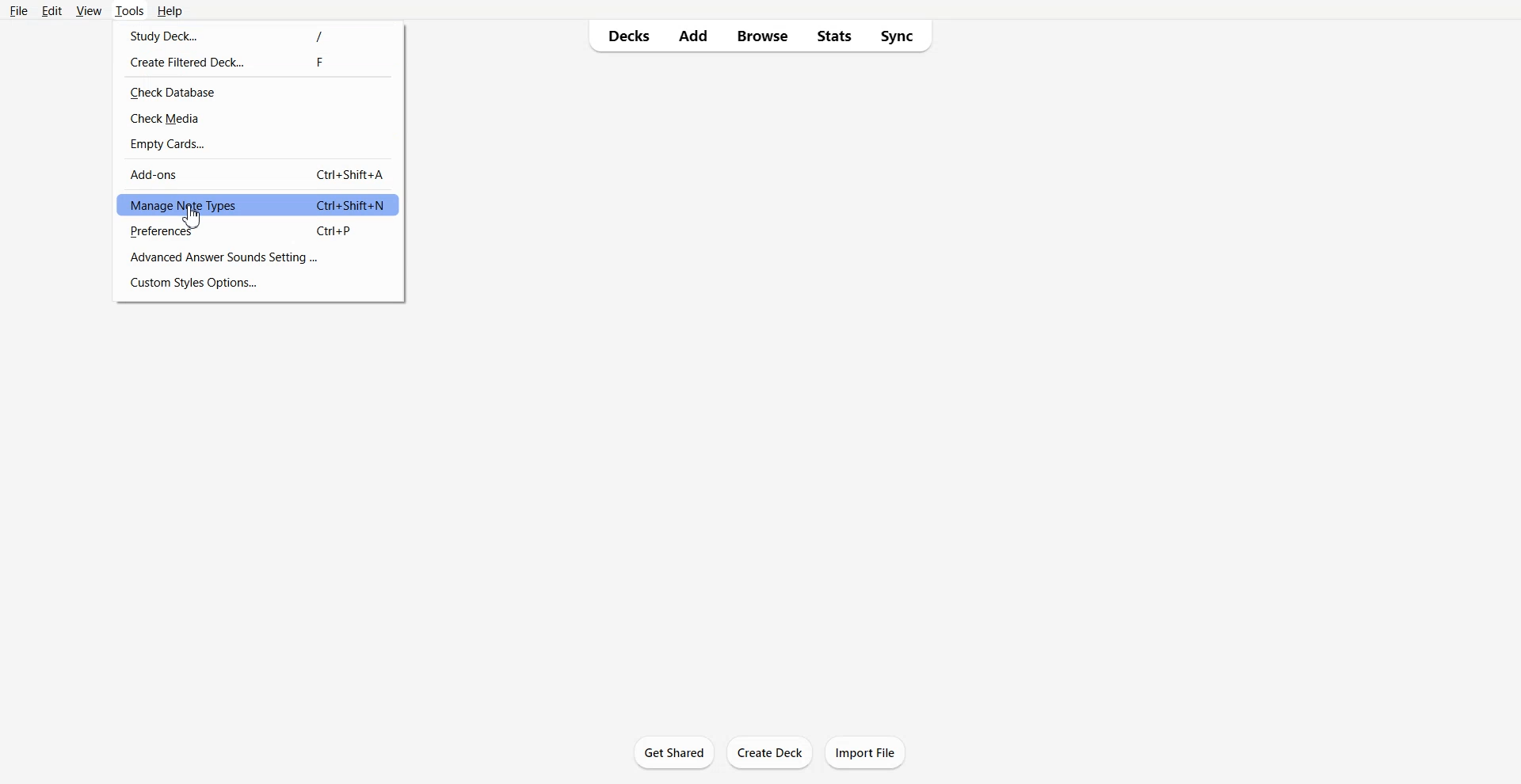 The height and width of the screenshot is (784, 1521). What do you see at coordinates (833, 36) in the screenshot?
I see `Stats` at bounding box center [833, 36].